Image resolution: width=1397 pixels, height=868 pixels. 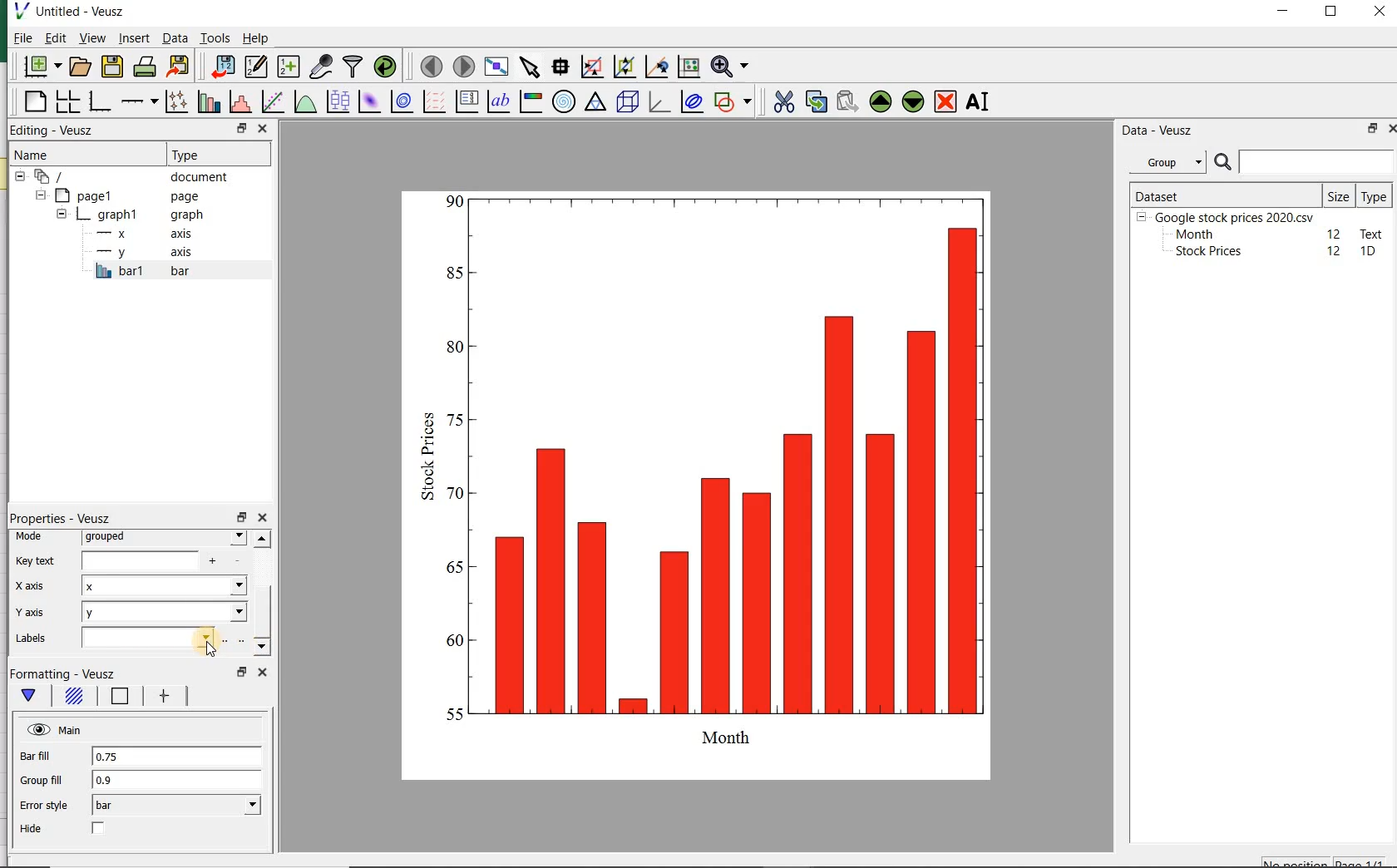 I want to click on graph1, so click(x=127, y=216).